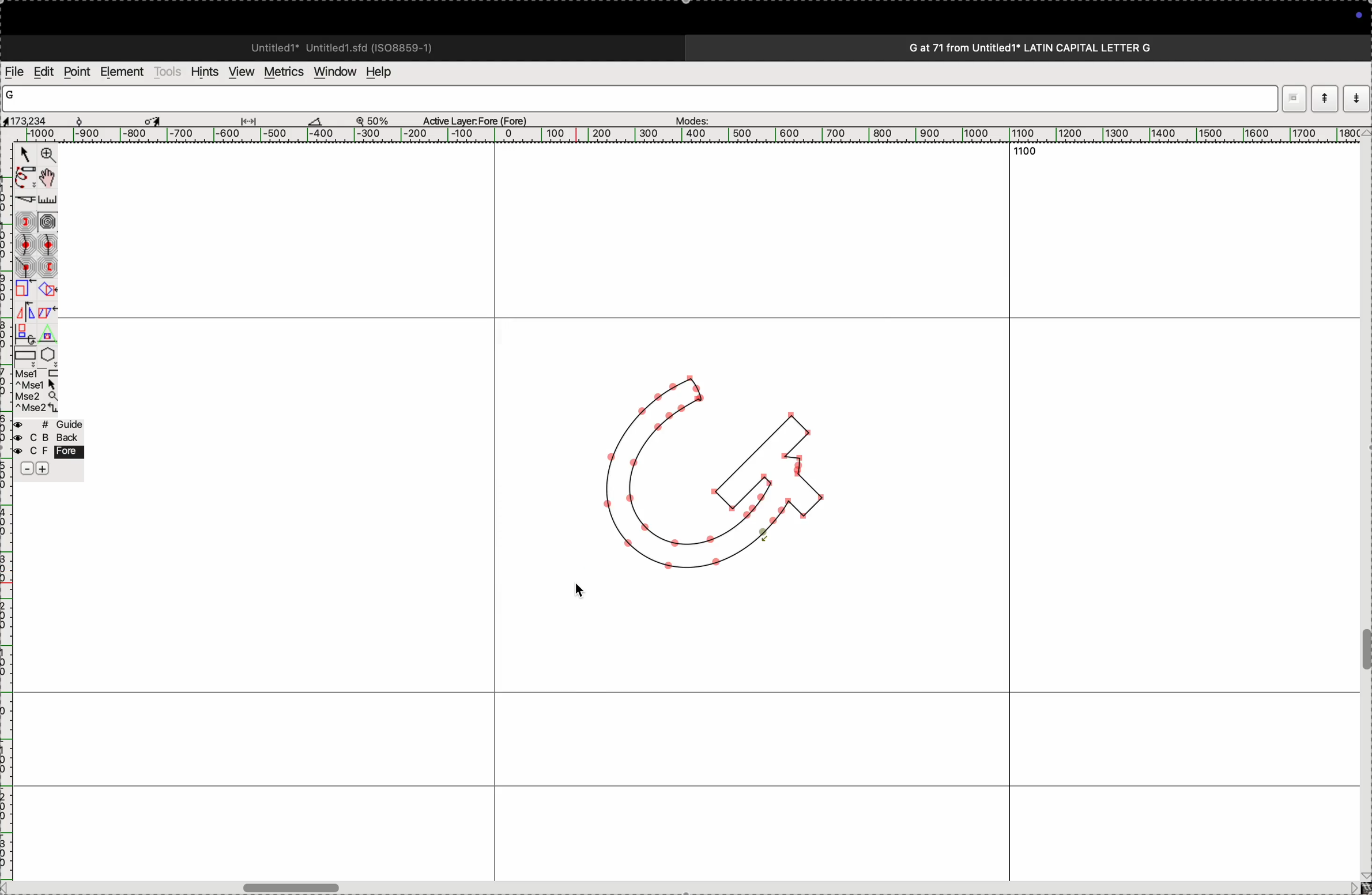  I want to click on perspective, so click(47, 334).